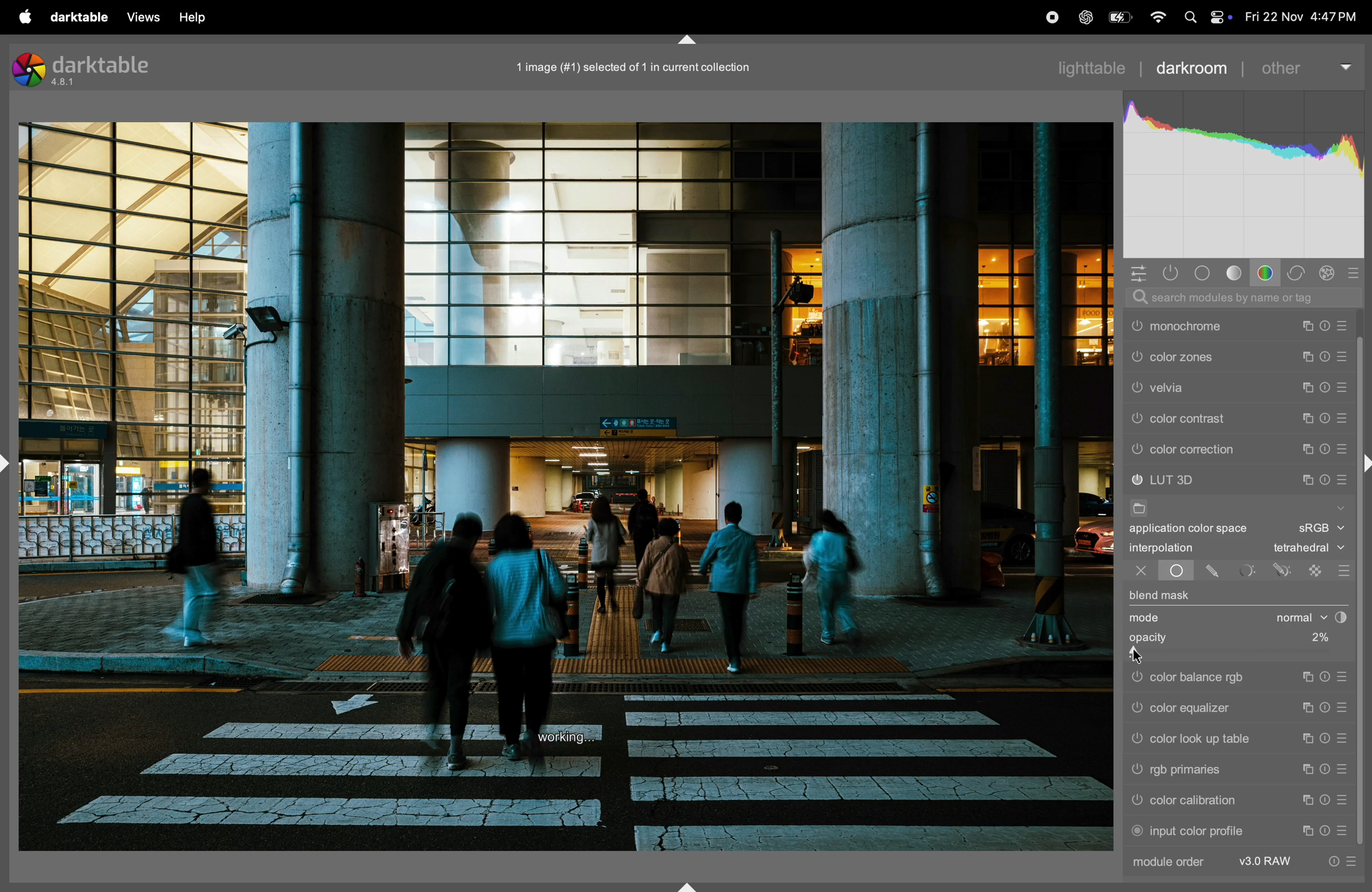  What do you see at coordinates (1134, 272) in the screenshot?
I see `quick access panel` at bounding box center [1134, 272].